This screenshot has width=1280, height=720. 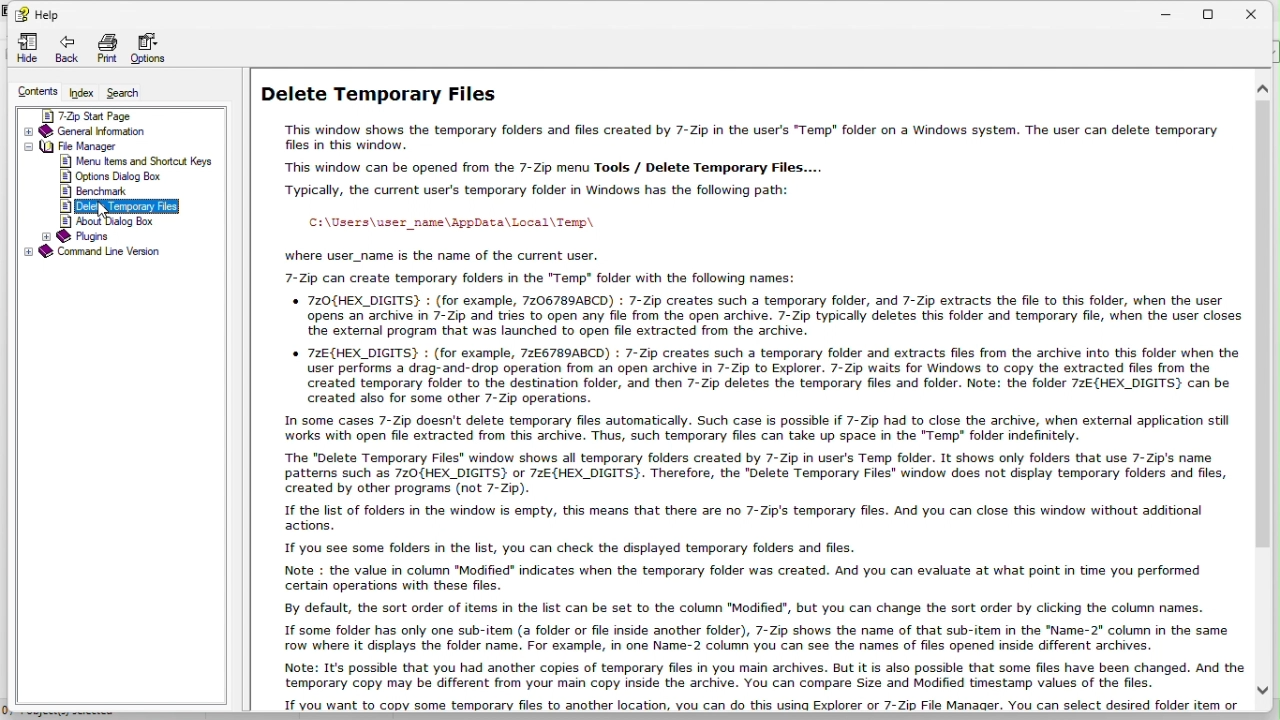 I want to click on Back, so click(x=66, y=51).